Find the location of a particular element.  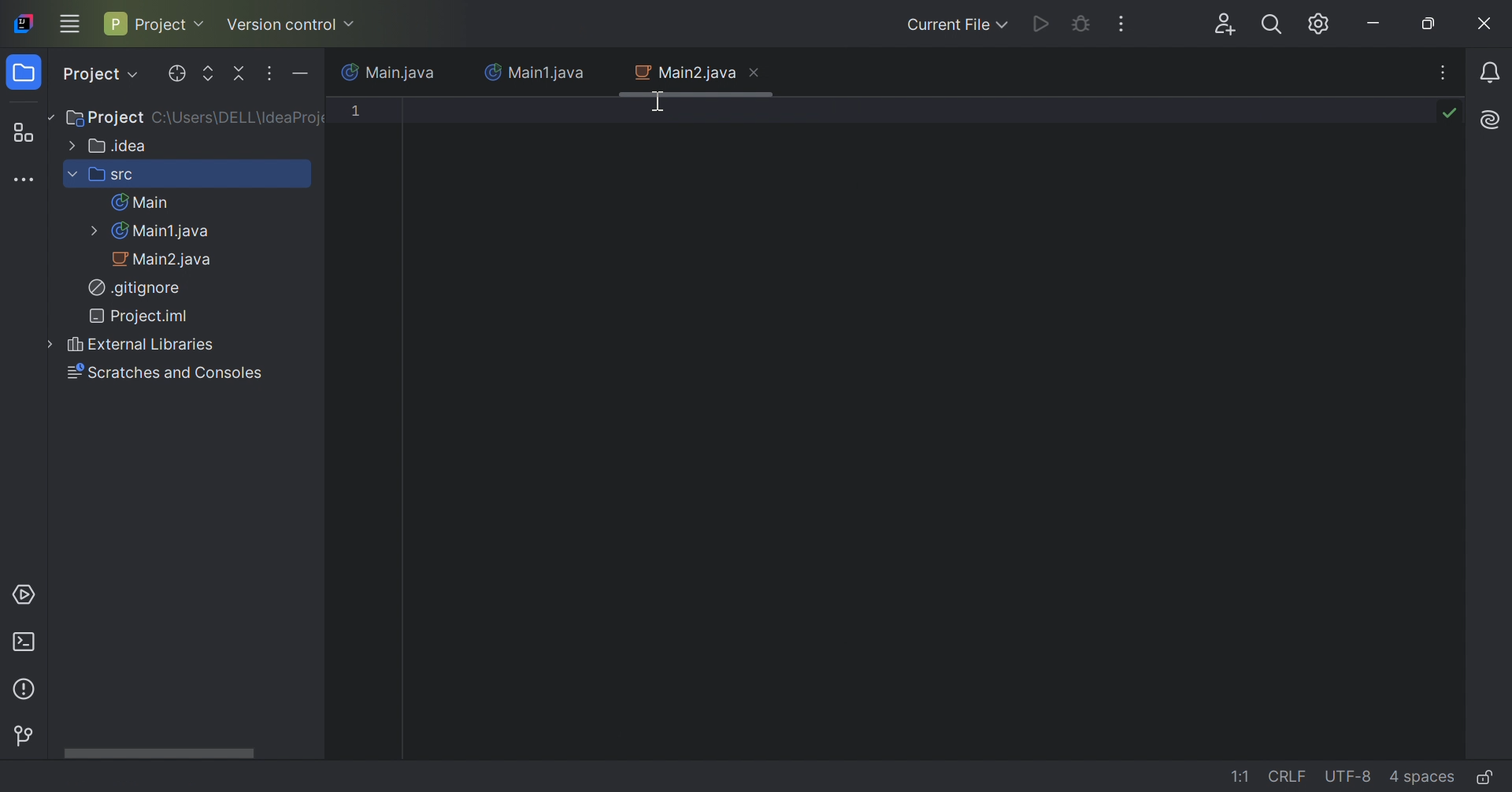

Current File is located at coordinates (954, 25).